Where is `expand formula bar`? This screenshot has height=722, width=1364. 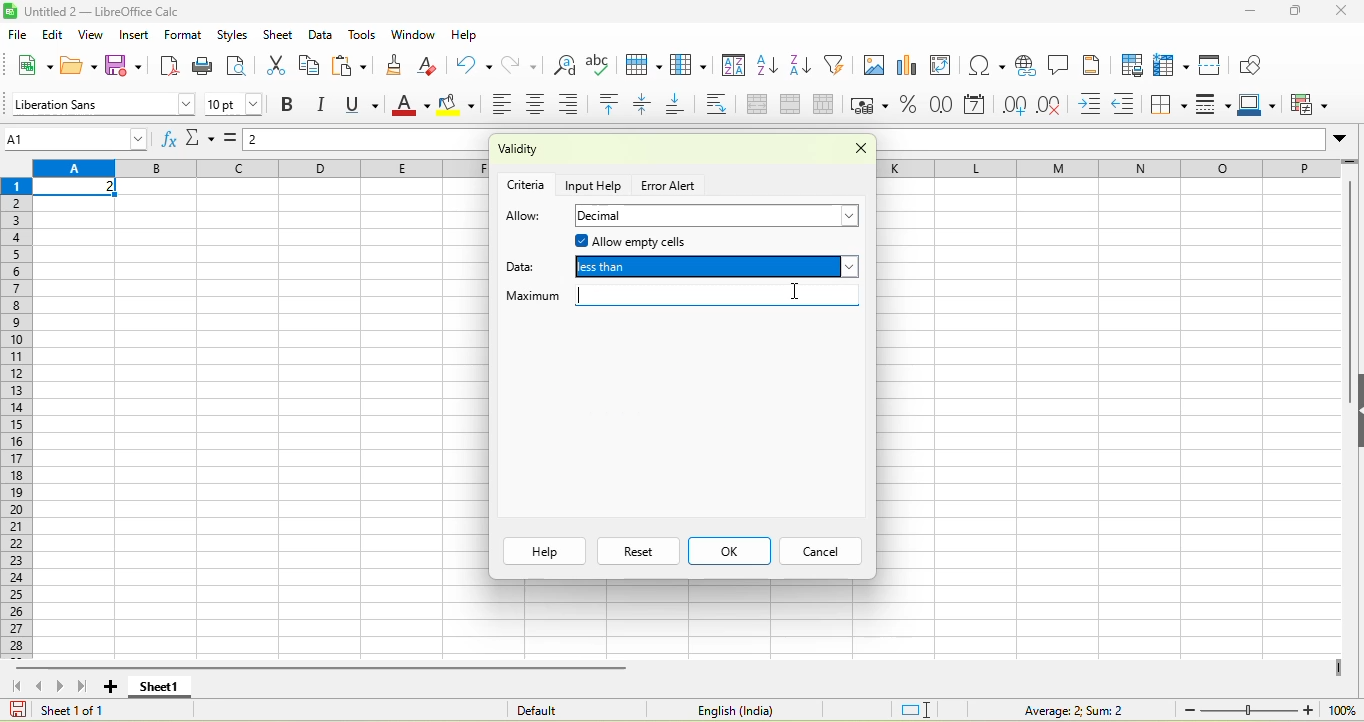
expand formula bar is located at coordinates (1345, 142).